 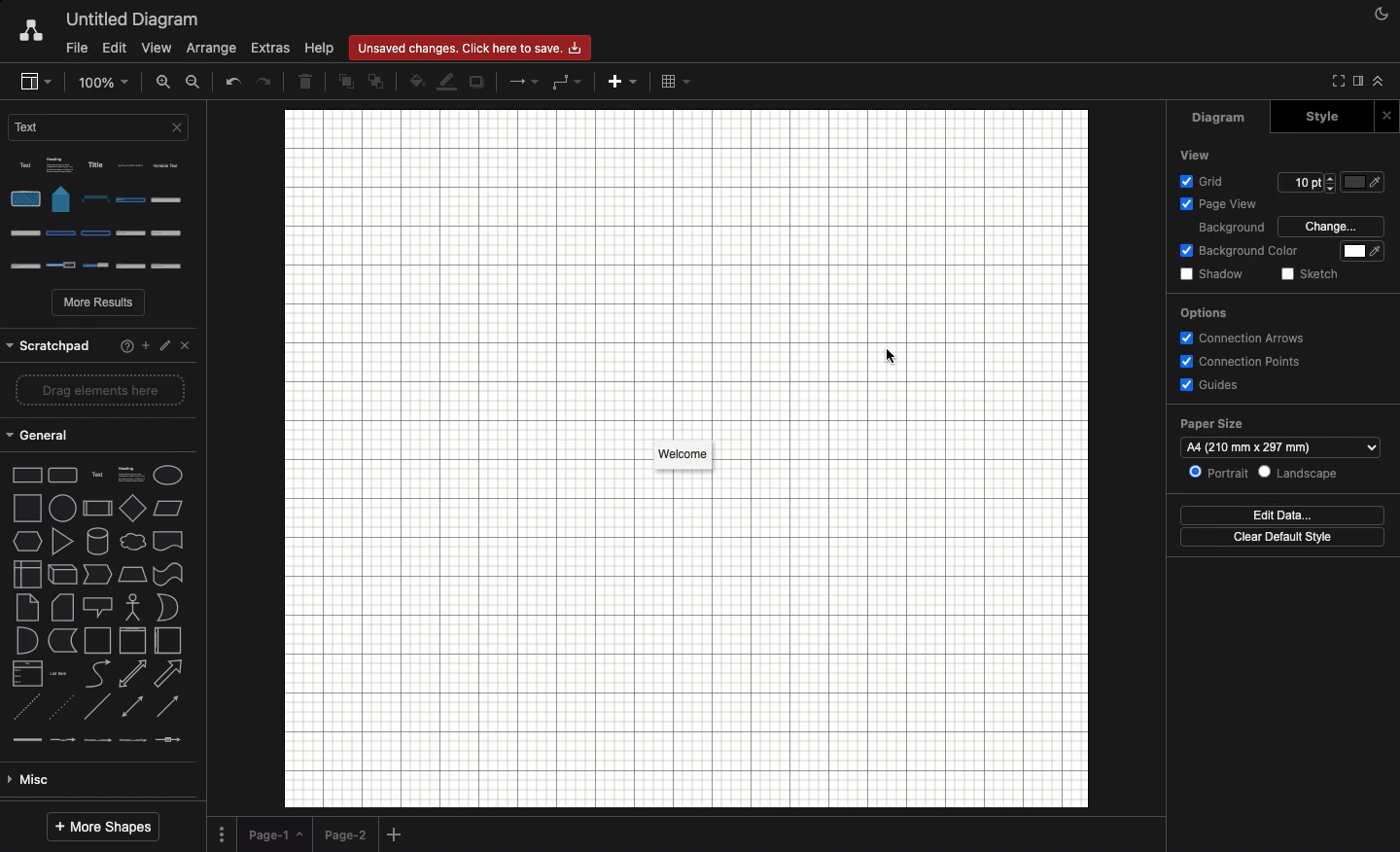 I want to click on Background Change, so click(x=1278, y=225).